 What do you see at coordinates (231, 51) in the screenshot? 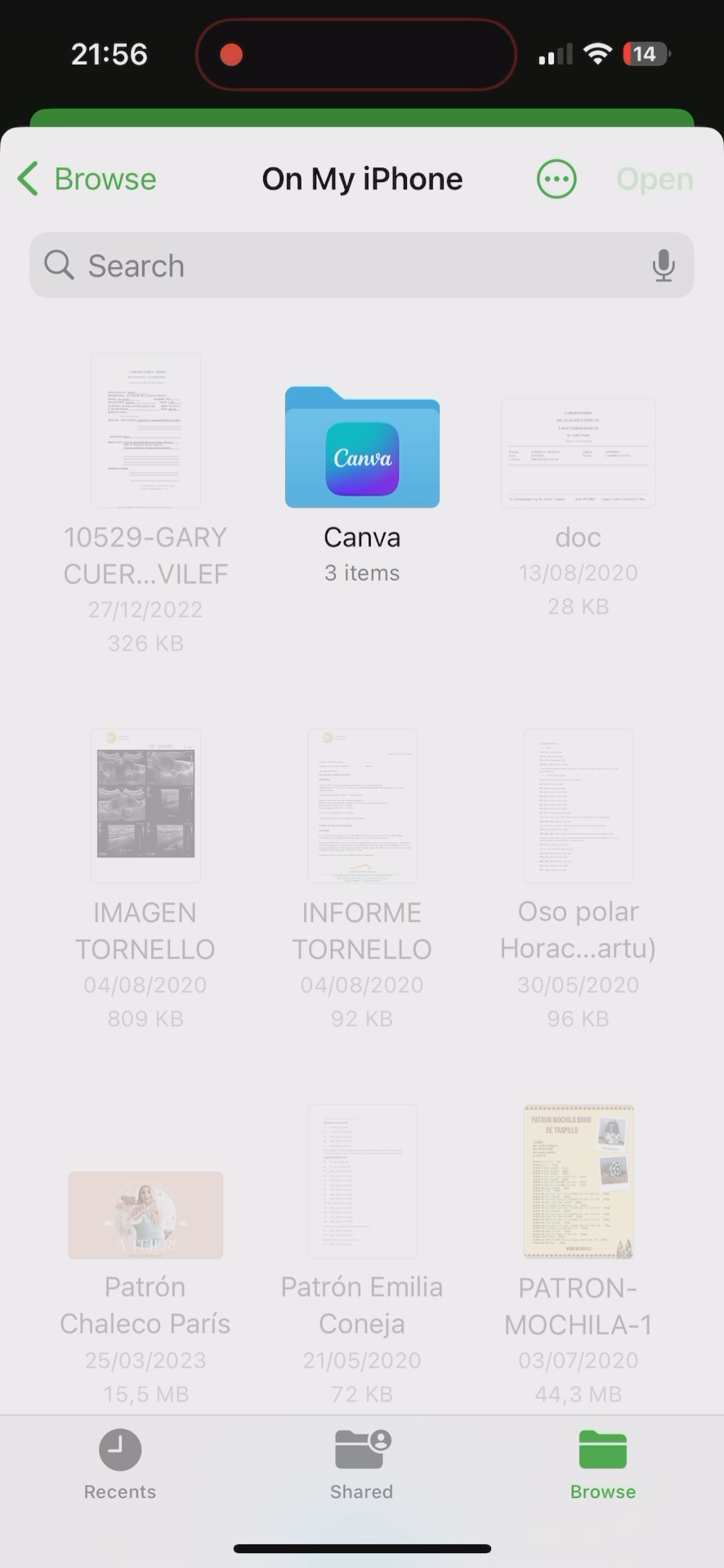
I see `recording the screen` at bounding box center [231, 51].